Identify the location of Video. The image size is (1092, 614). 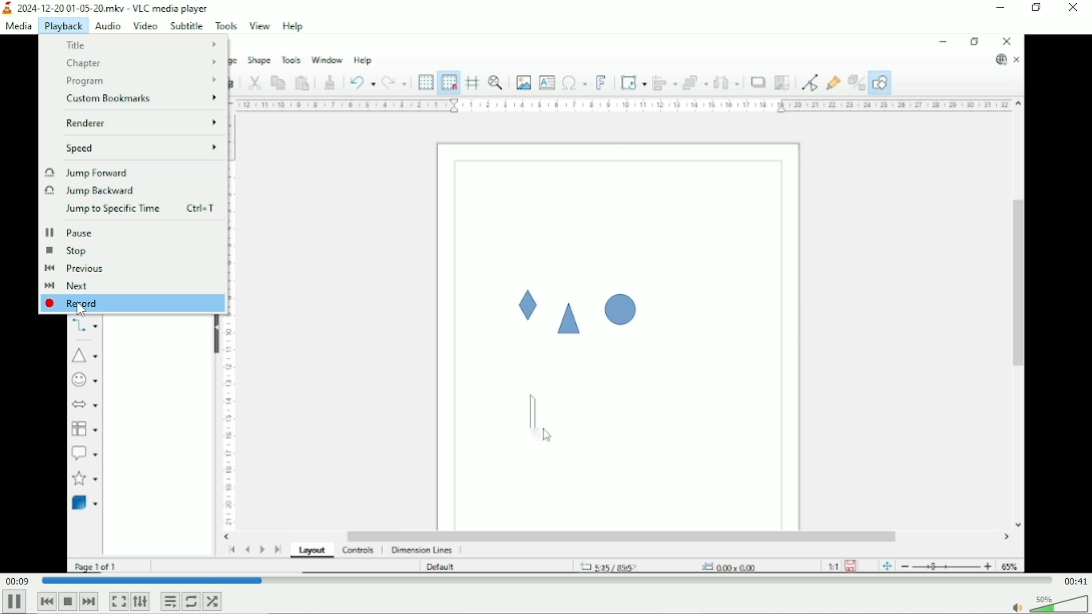
(146, 25).